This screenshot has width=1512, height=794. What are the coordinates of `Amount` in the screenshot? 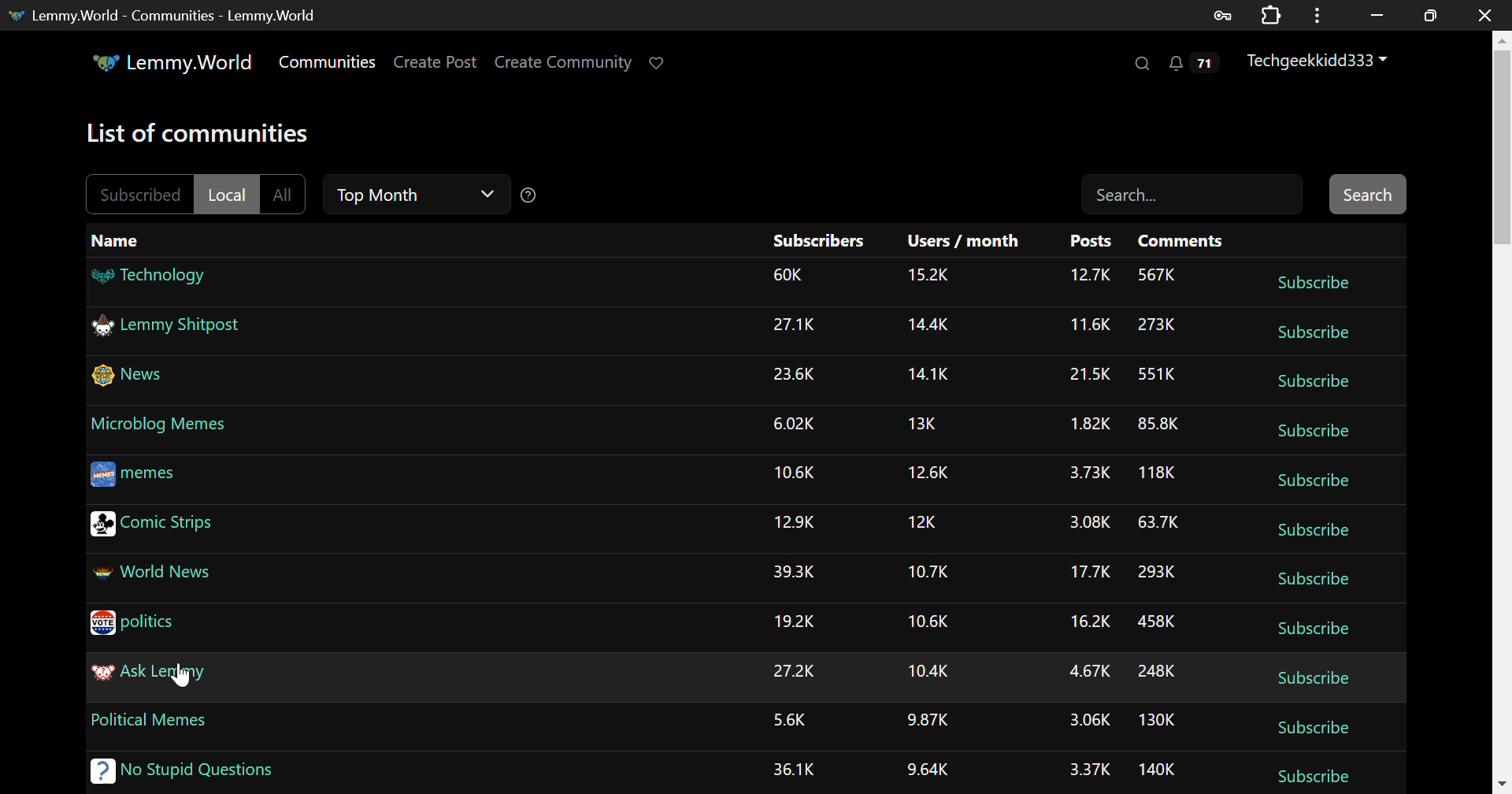 It's located at (918, 426).